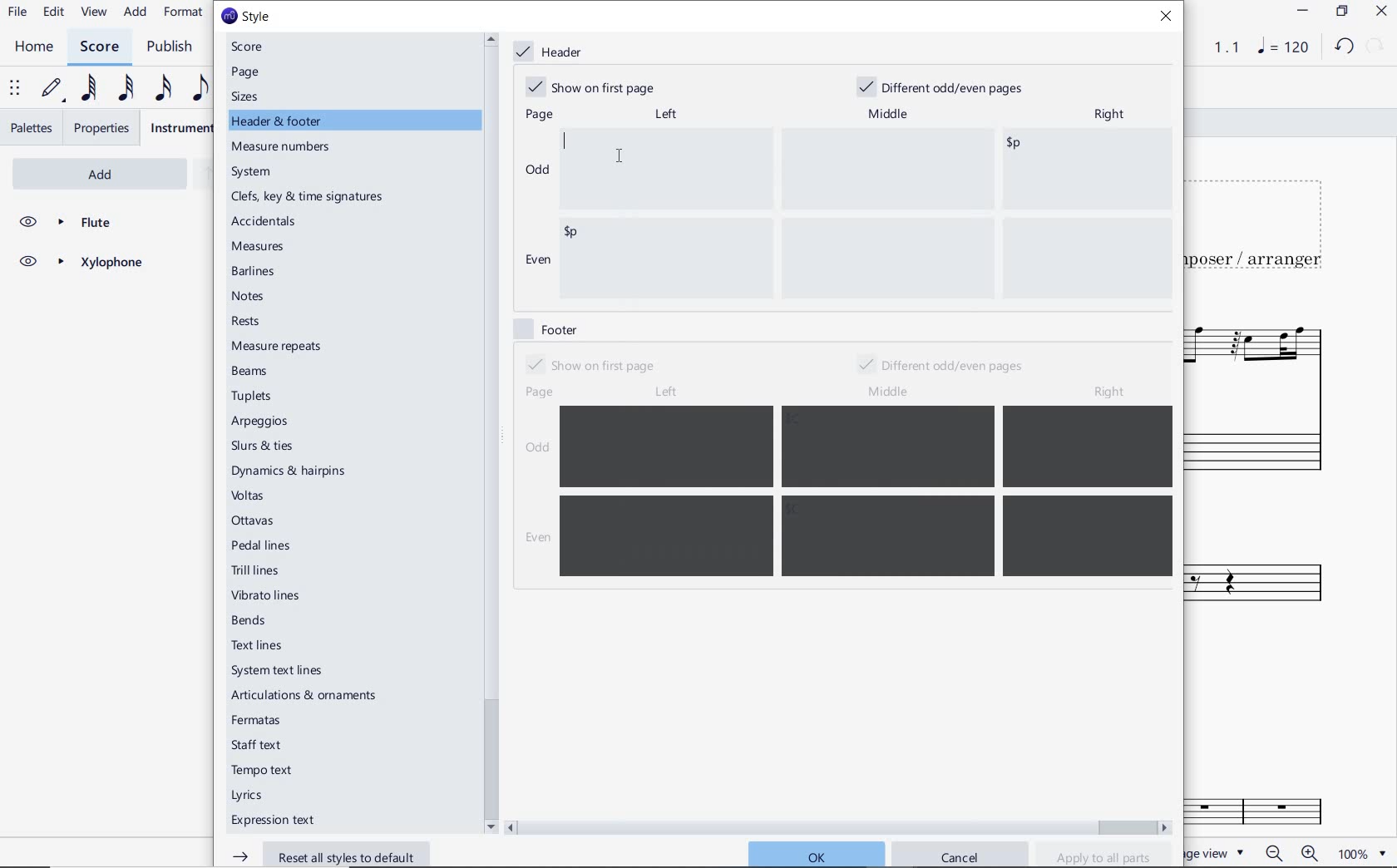 The width and height of the screenshot is (1397, 868). Describe the element at coordinates (260, 248) in the screenshot. I see `measures` at that location.